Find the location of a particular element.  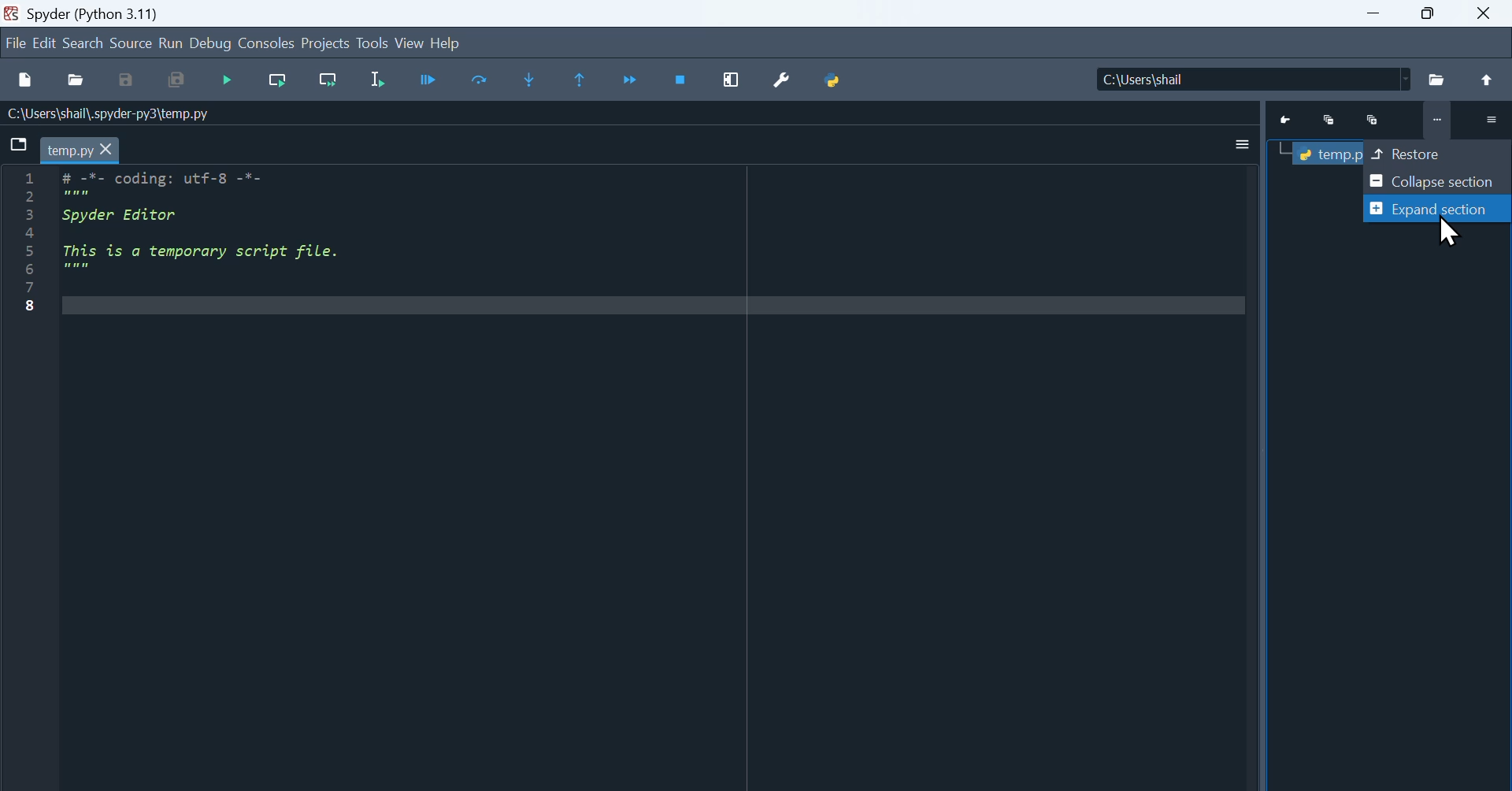

More is located at coordinates (1436, 122).